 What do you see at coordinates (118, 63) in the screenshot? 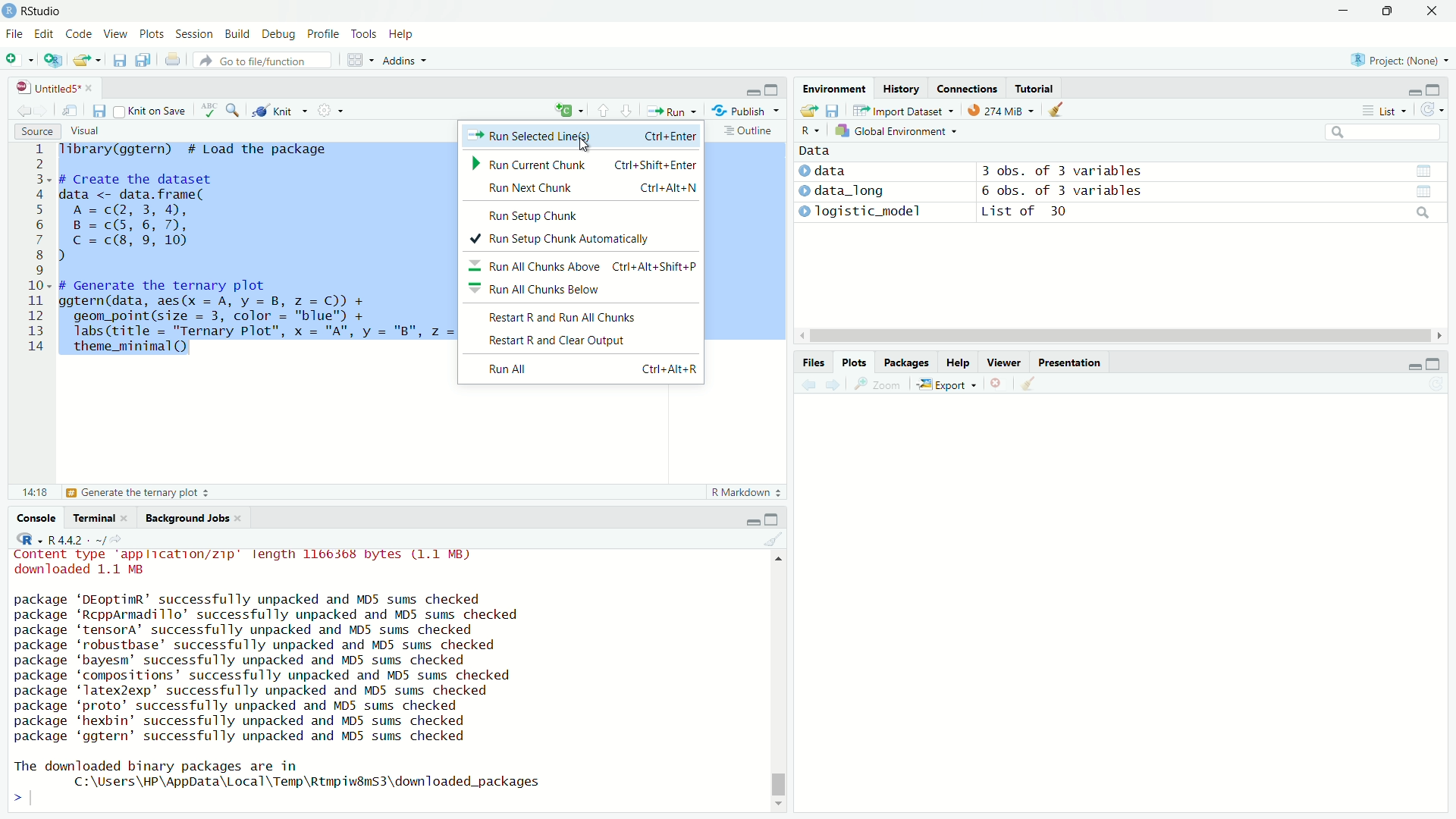
I see `save` at bounding box center [118, 63].